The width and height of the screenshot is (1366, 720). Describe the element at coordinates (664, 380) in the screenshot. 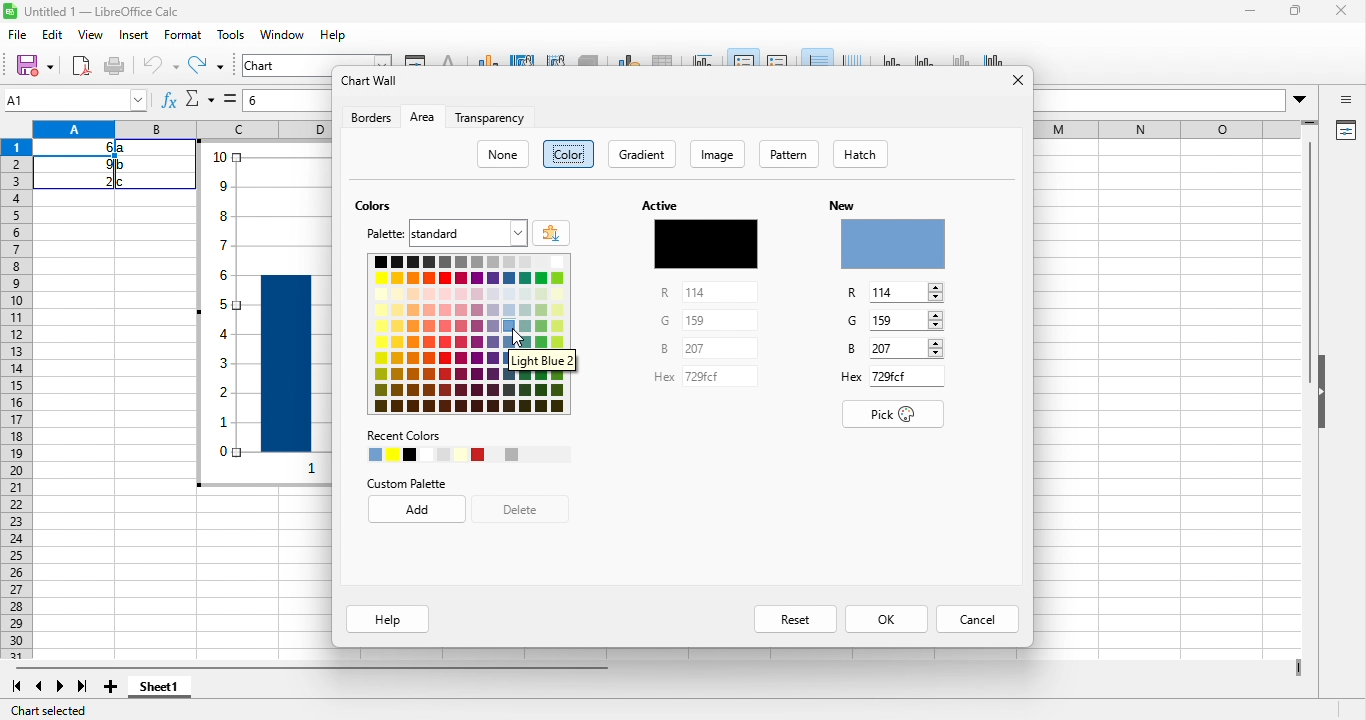

I see `Hex` at that location.